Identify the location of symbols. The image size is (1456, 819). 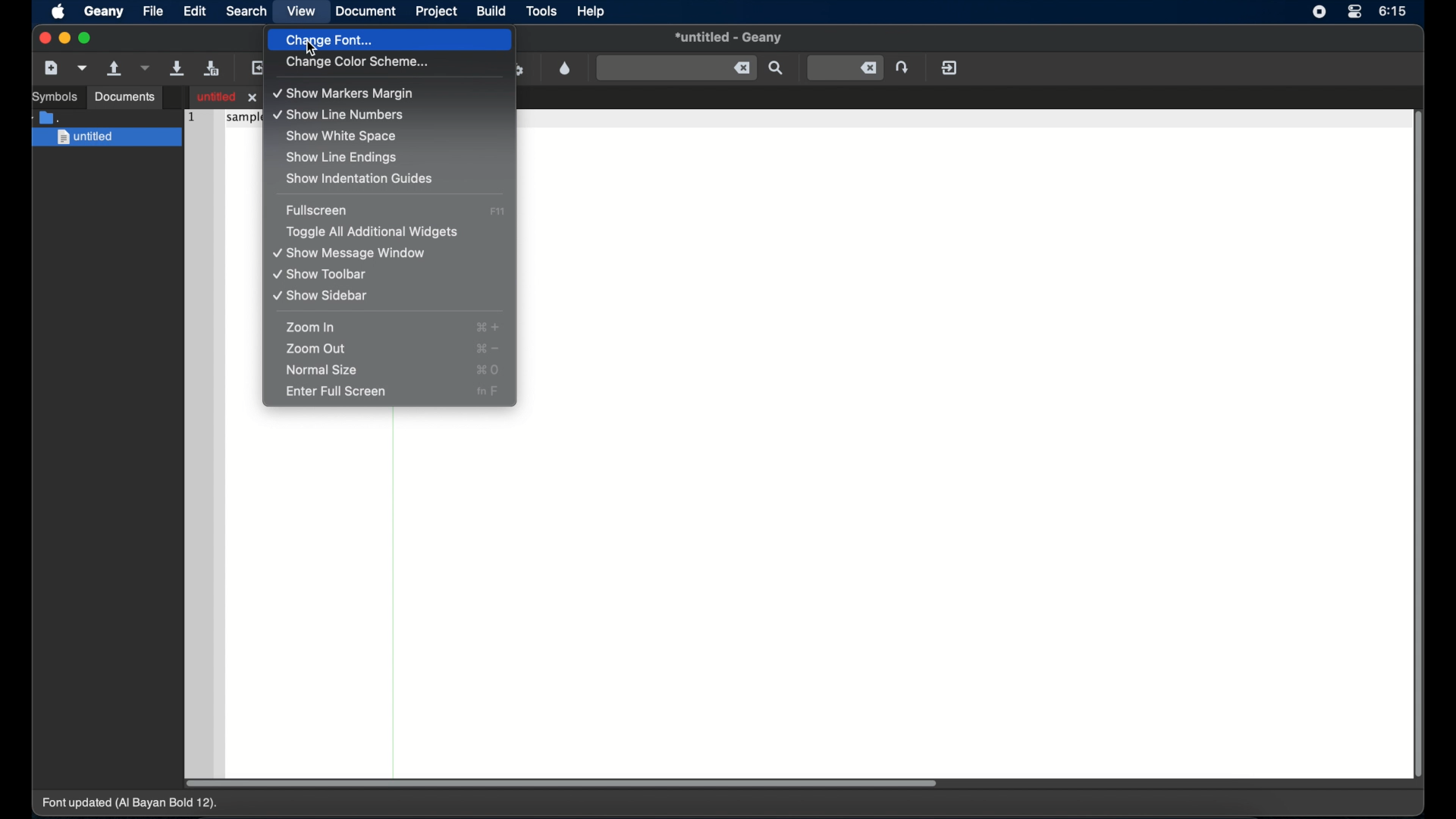
(55, 97).